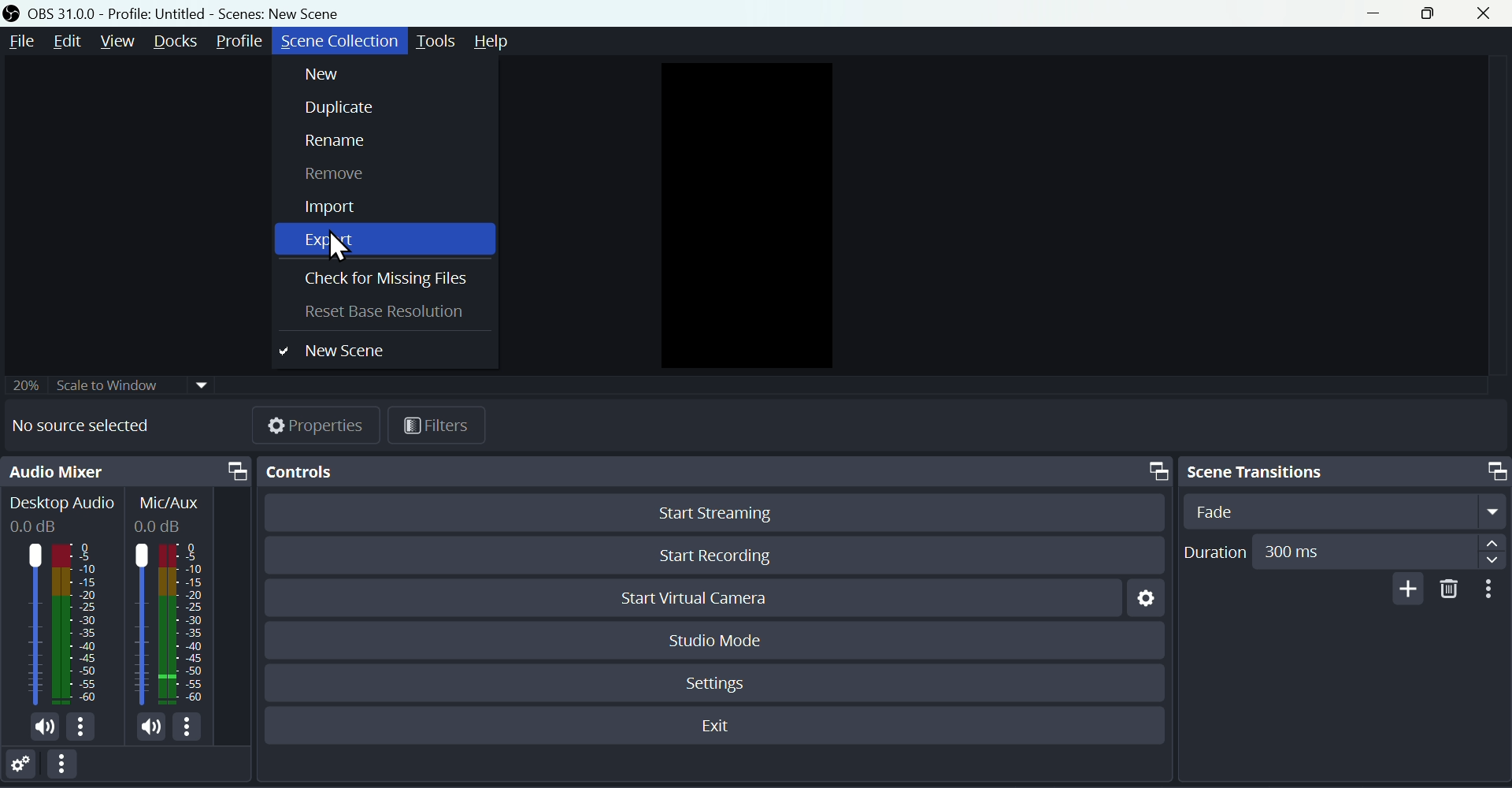  Describe the element at coordinates (194, 727) in the screenshot. I see `more options` at that location.